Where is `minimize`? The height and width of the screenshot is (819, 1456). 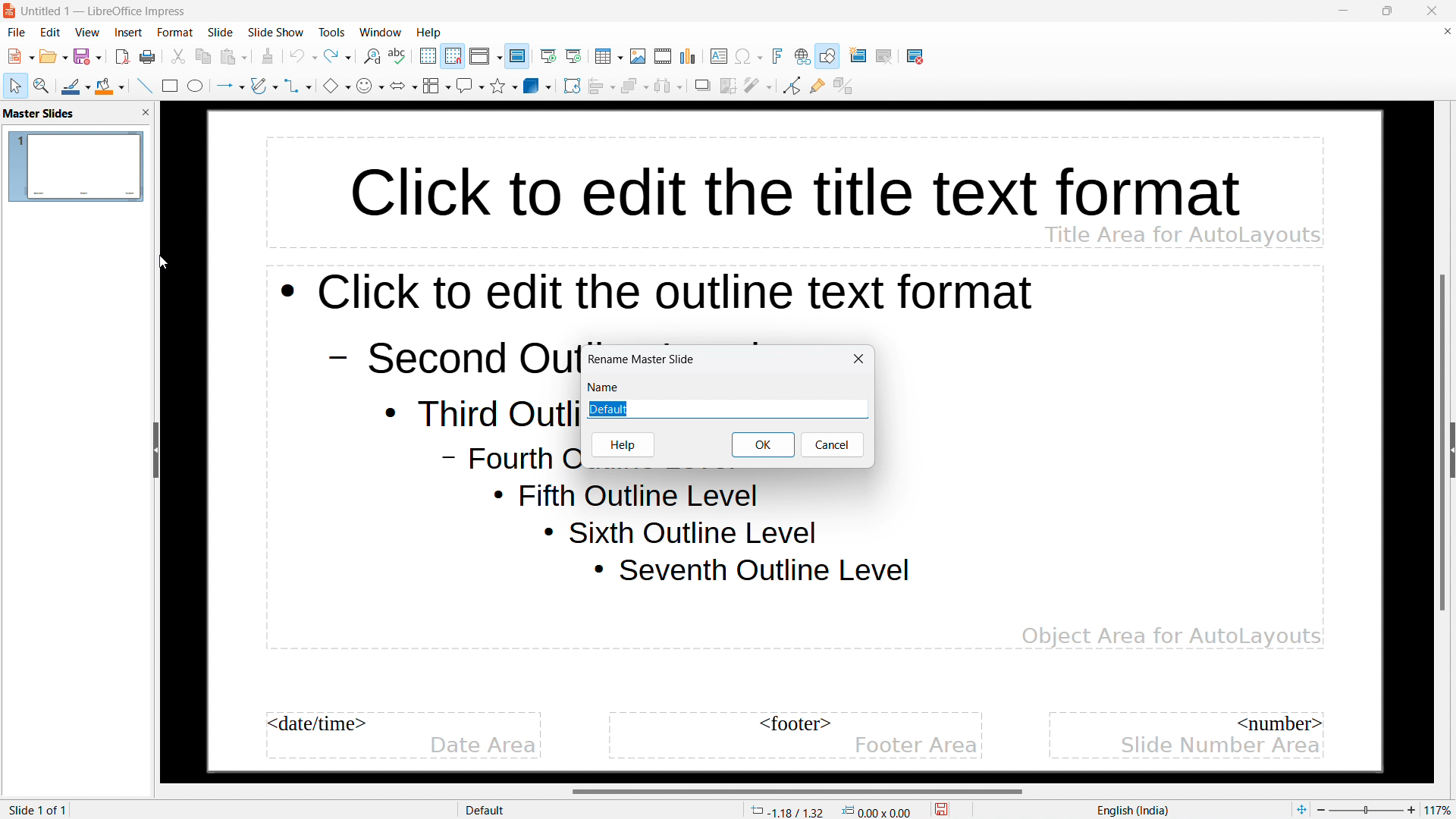
minimize is located at coordinates (1344, 11).